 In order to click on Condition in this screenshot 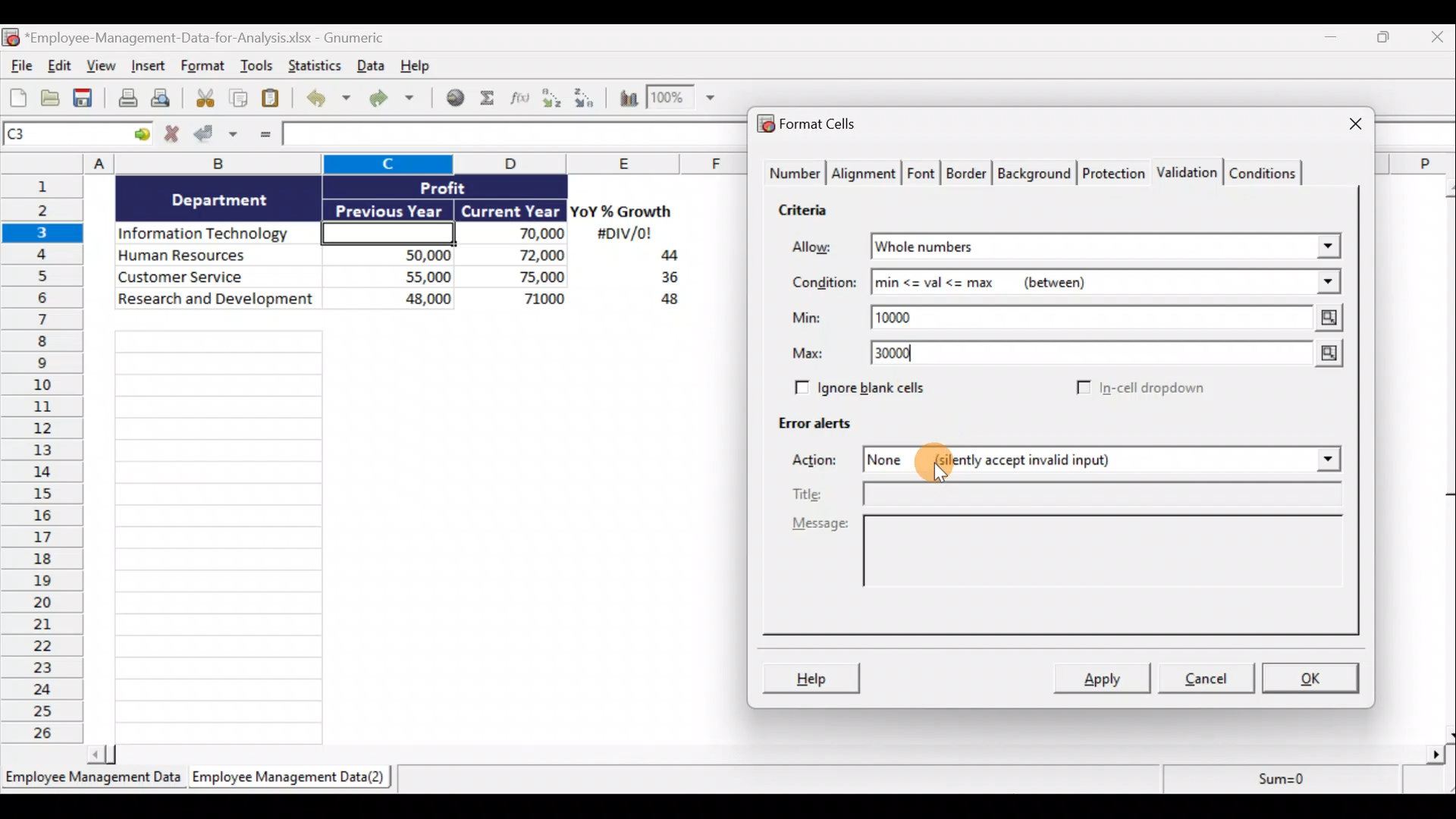, I will do `click(823, 283)`.